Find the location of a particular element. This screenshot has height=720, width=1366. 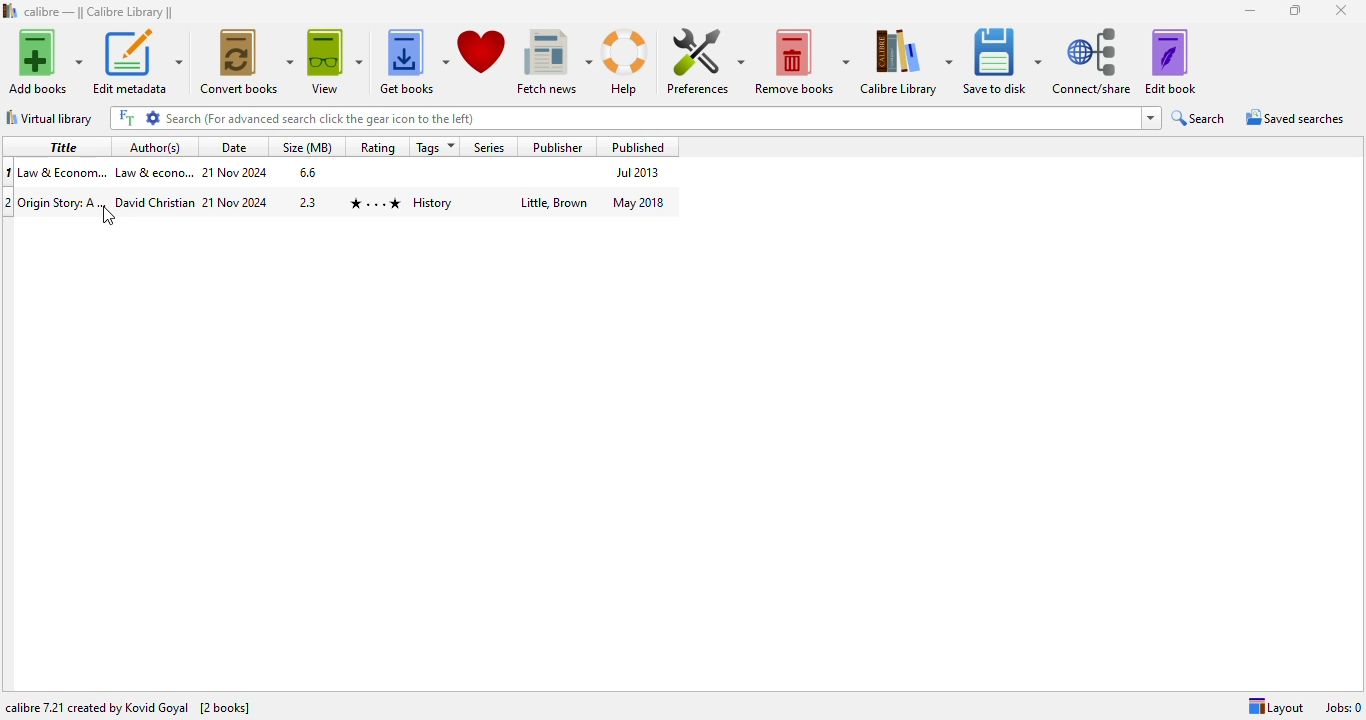

convert books is located at coordinates (247, 61).